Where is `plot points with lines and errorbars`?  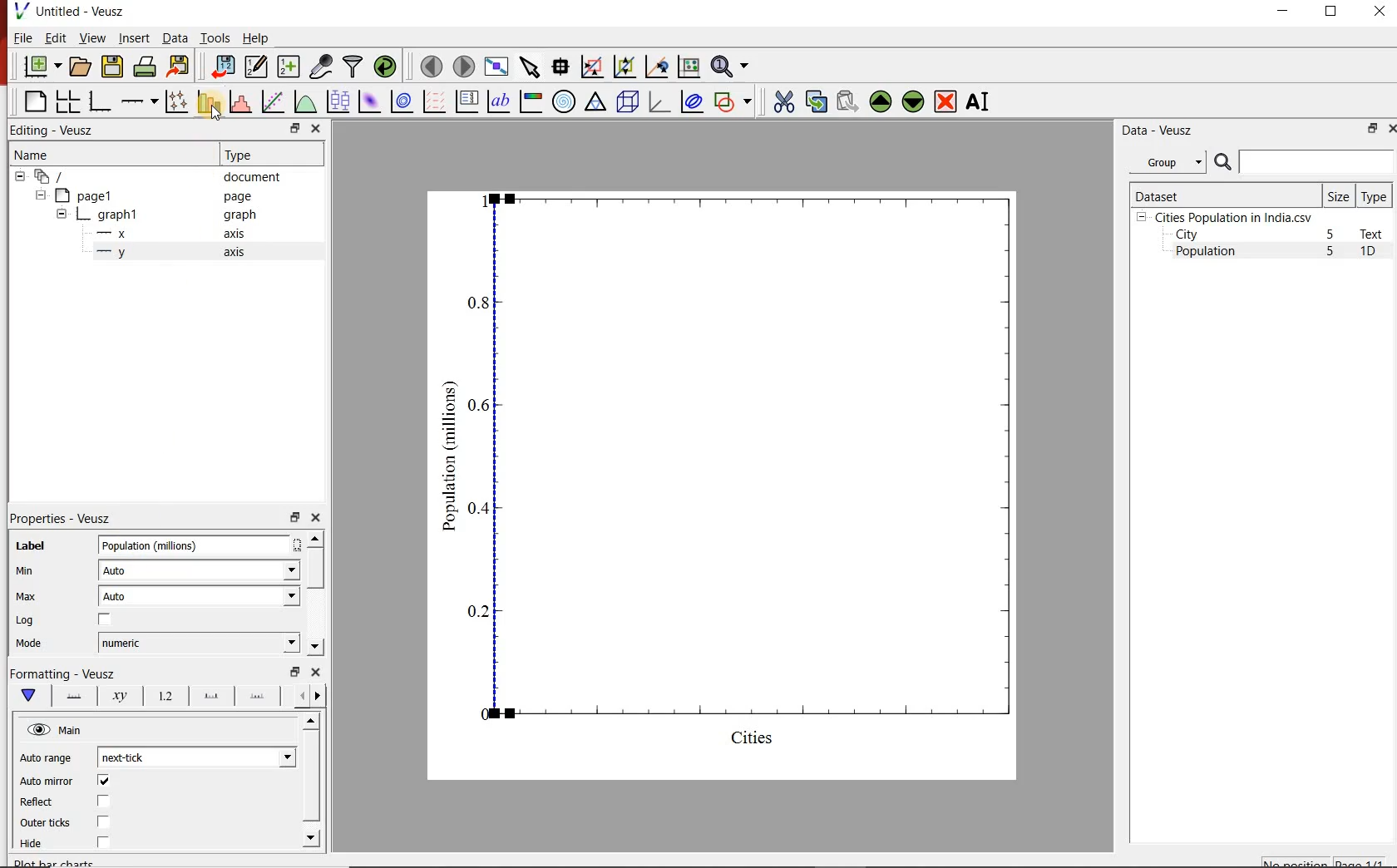
plot points with lines and errorbars is located at coordinates (174, 101).